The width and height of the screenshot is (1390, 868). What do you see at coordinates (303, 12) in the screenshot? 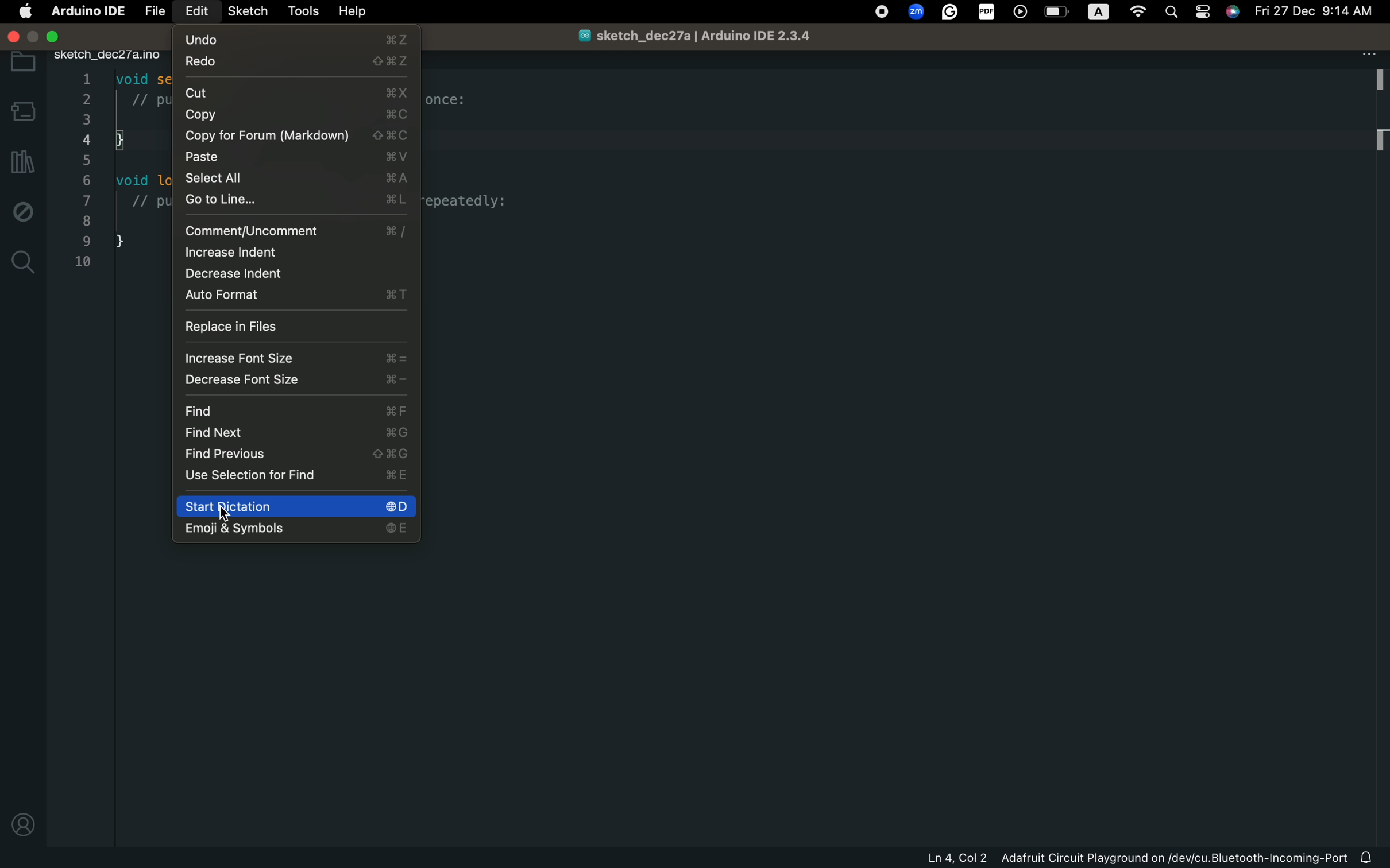
I see `tools` at bounding box center [303, 12].